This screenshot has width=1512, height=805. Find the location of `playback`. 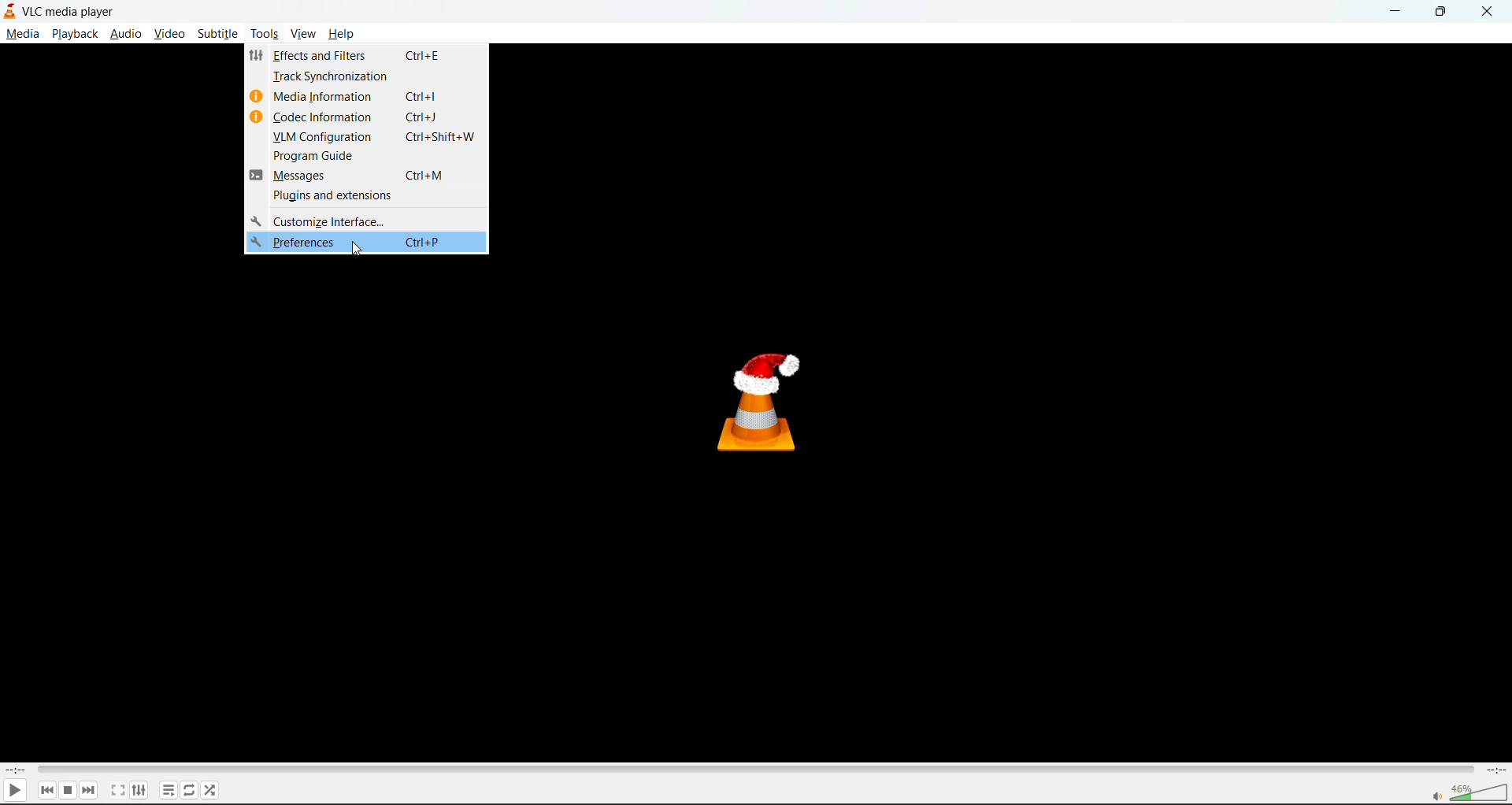

playback is located at coordinates (76, 34).